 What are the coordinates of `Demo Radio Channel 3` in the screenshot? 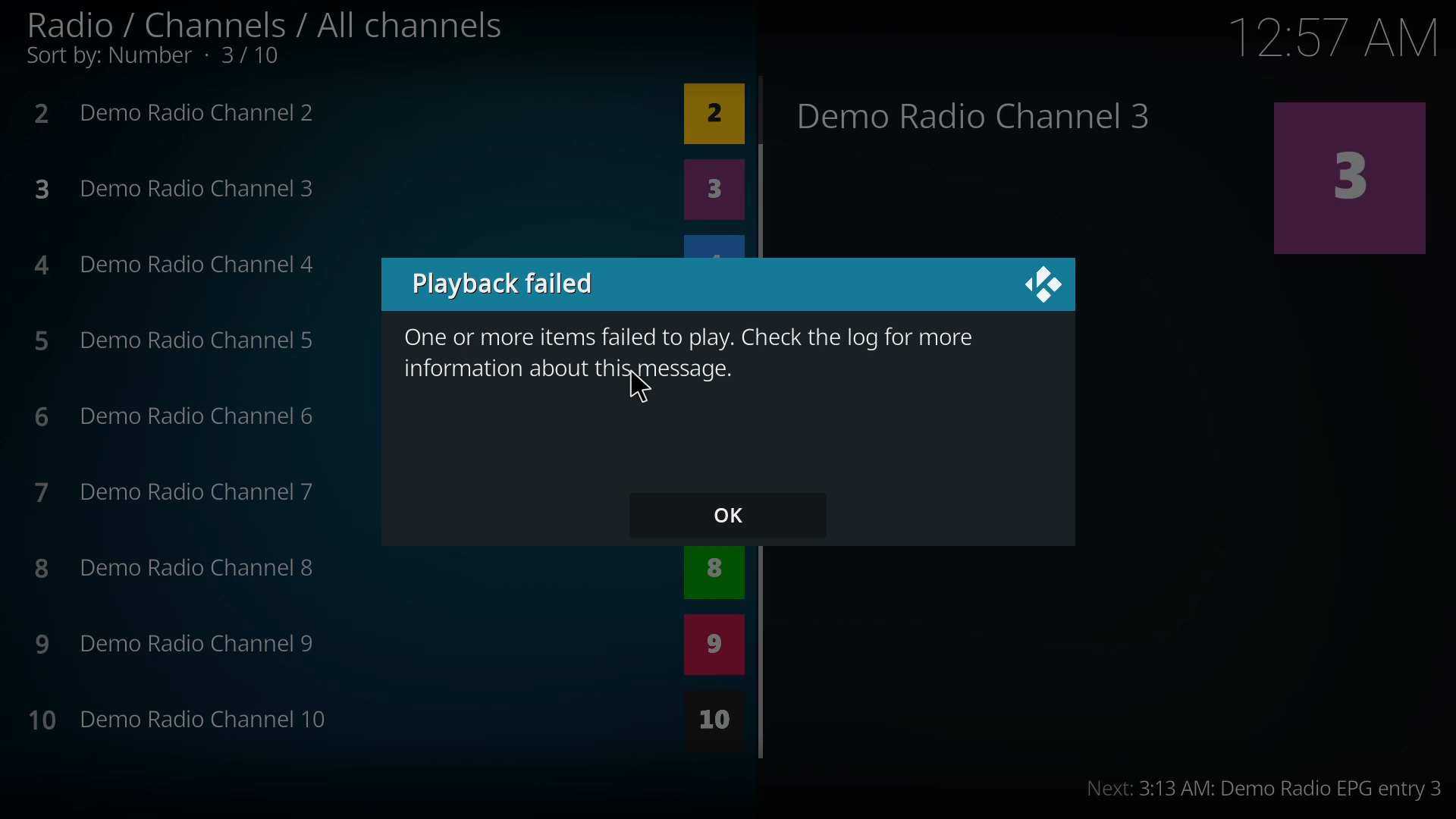 It's located at (968, 115).